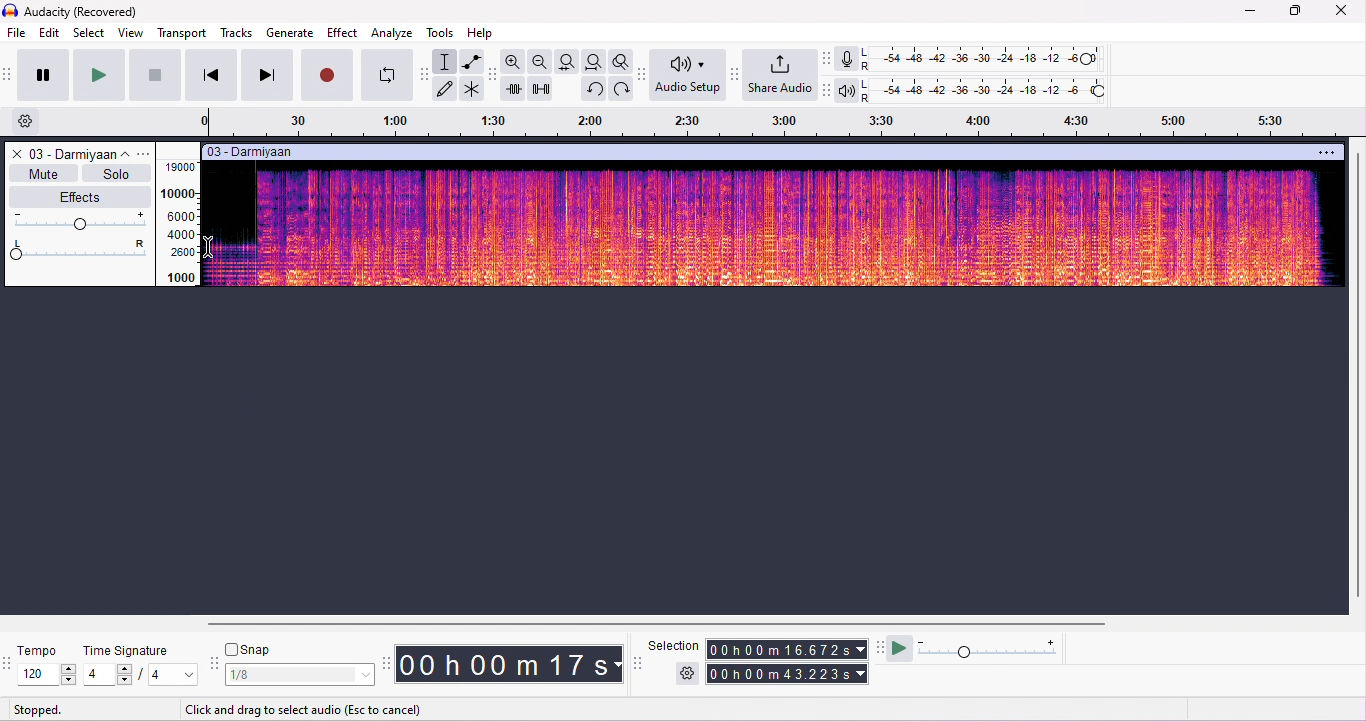 Image resolution: width=1366 pixels, height=722 pixels. I want to click on transport, so click(182, 34).